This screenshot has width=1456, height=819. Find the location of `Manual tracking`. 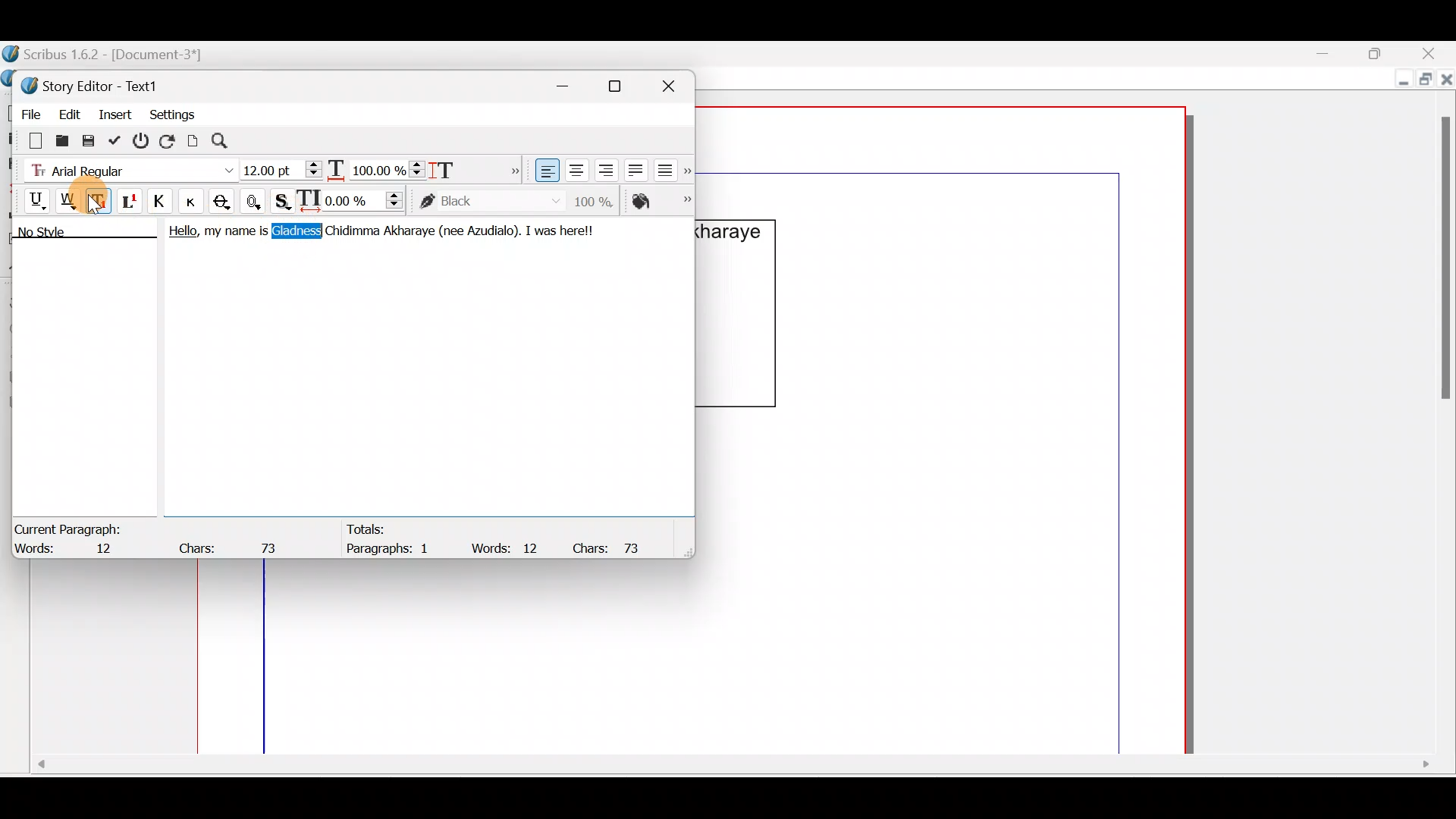

Manual tracking is located at coordinates (354, 199).